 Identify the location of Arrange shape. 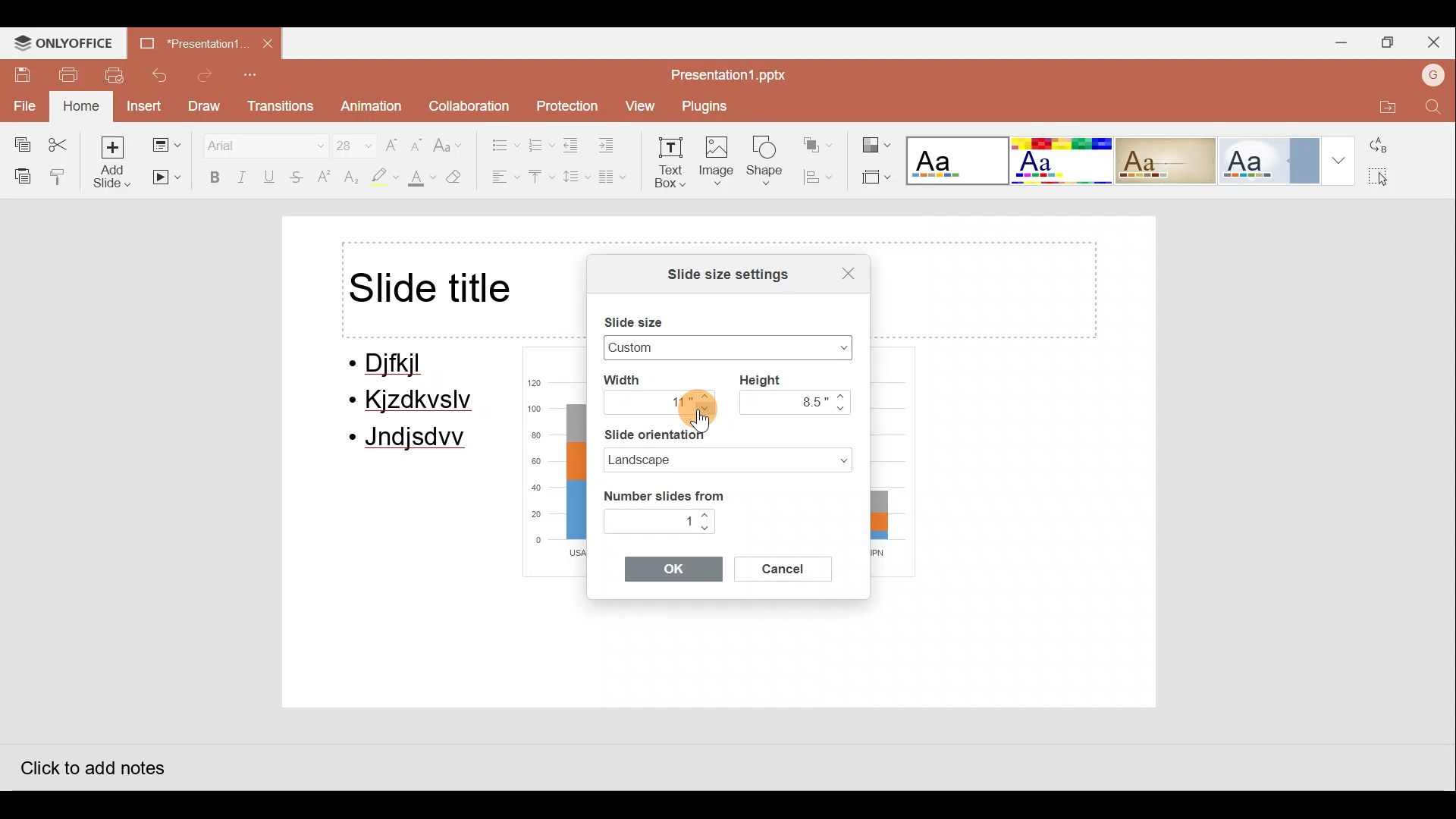
(820, 140).